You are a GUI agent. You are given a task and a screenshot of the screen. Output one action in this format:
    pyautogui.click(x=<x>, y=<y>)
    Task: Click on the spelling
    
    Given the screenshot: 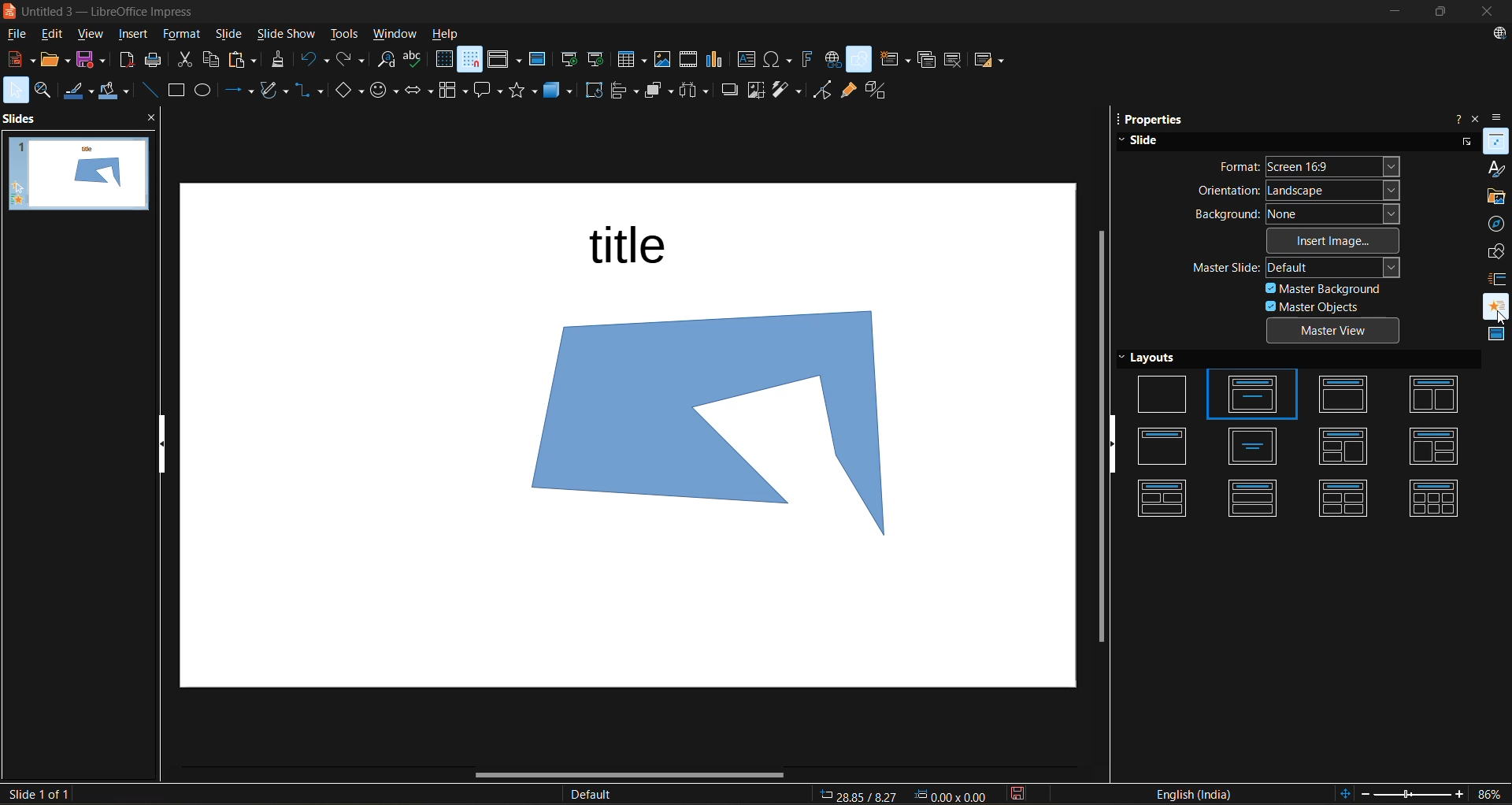 What is the action you would take?
    pyautogui.click(x=415, y=59)
    